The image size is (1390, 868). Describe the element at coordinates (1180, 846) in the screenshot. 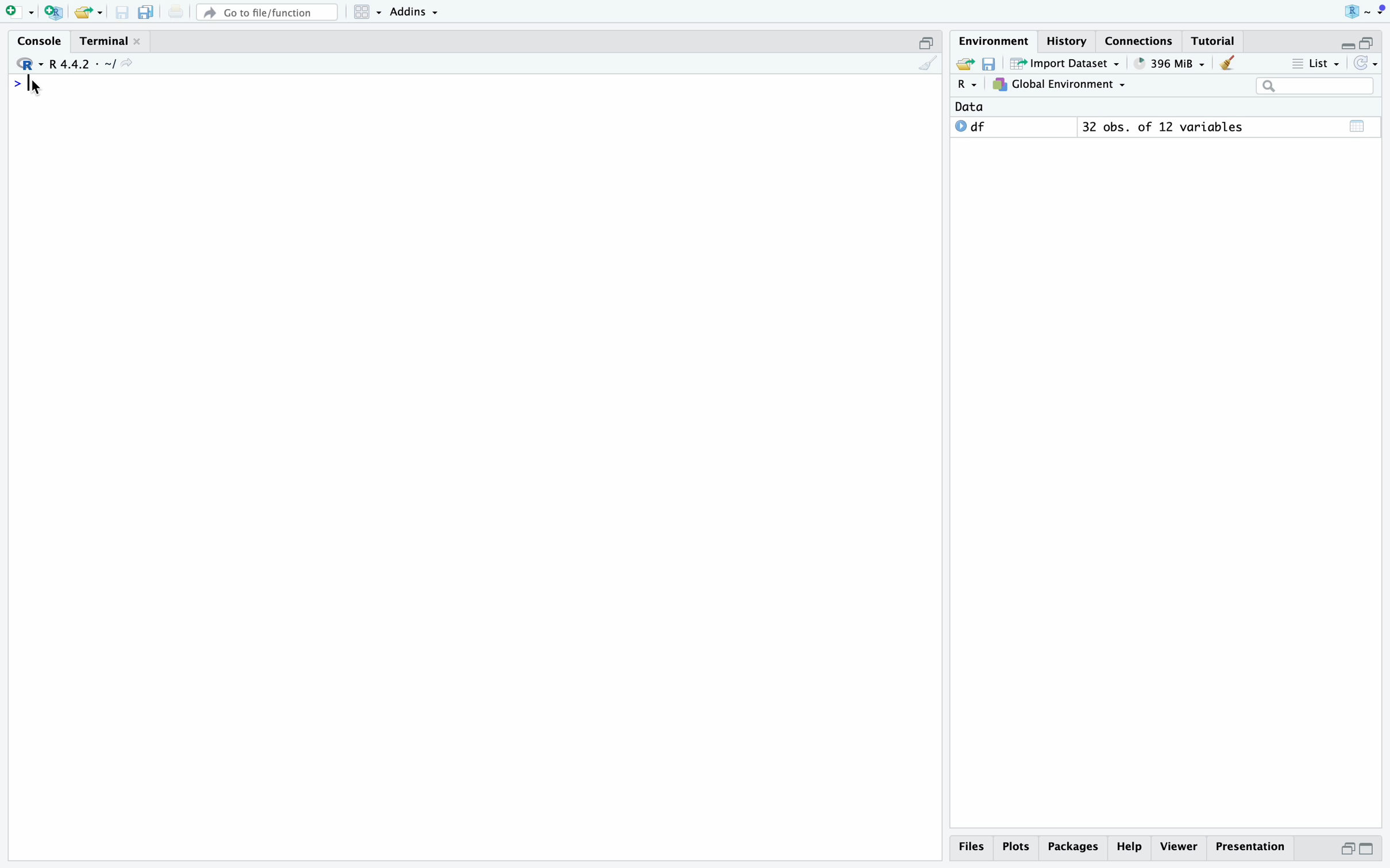

I see `viewer` at that location.